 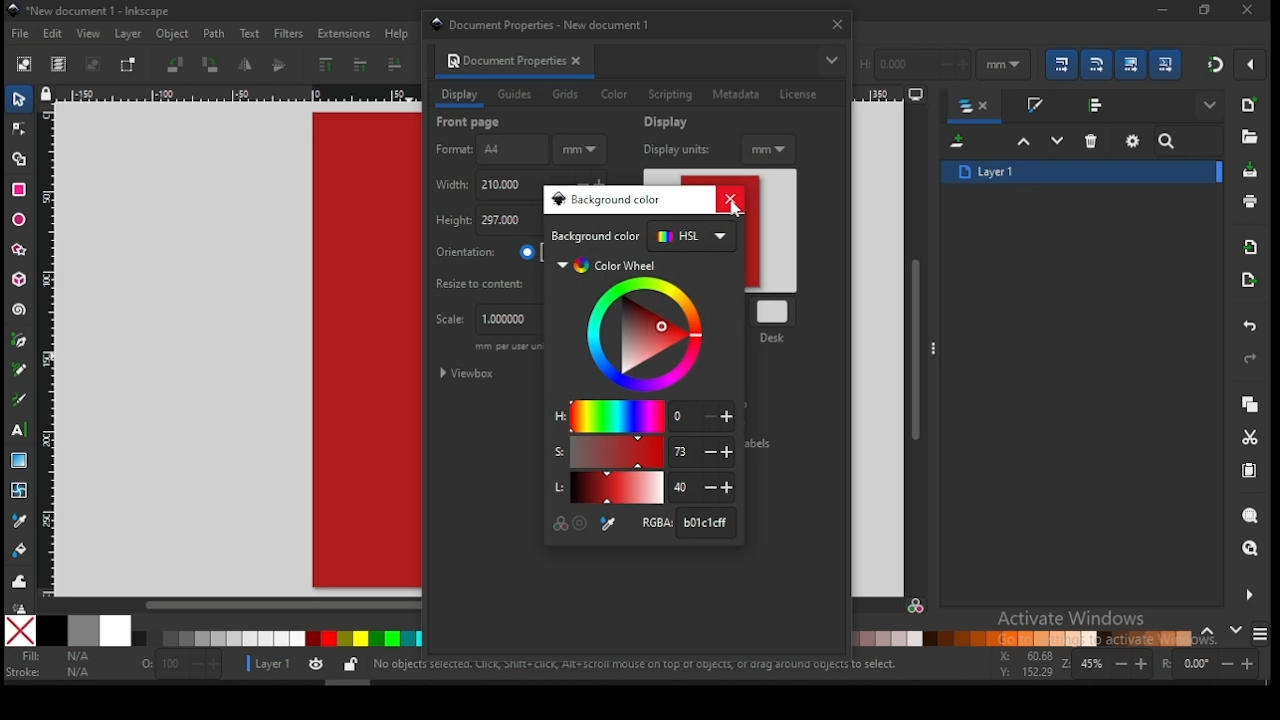 I want to click on next, so click(x=1236, y=630).